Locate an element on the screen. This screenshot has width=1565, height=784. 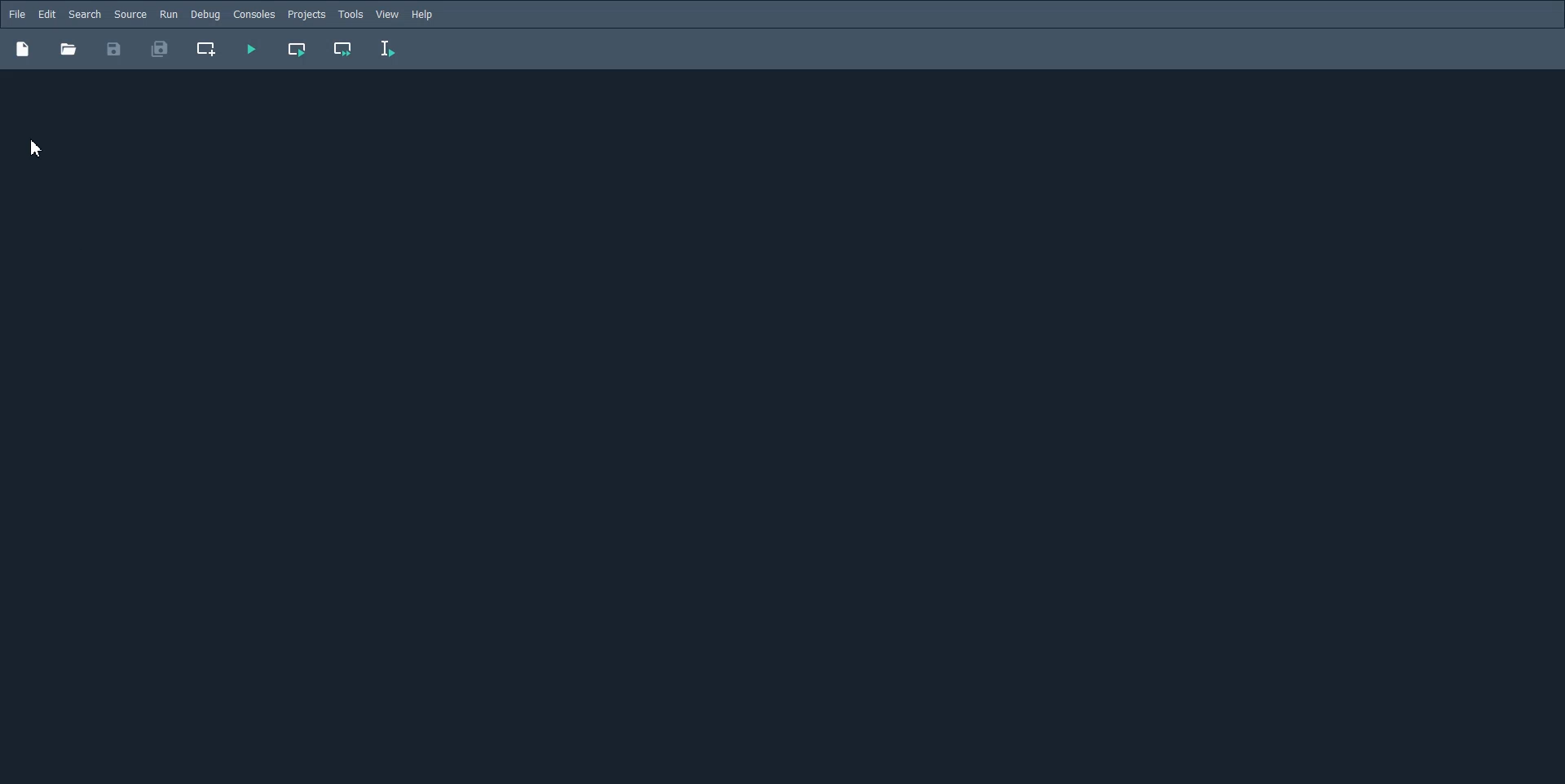
Tools is located at coordinates (350, 15).